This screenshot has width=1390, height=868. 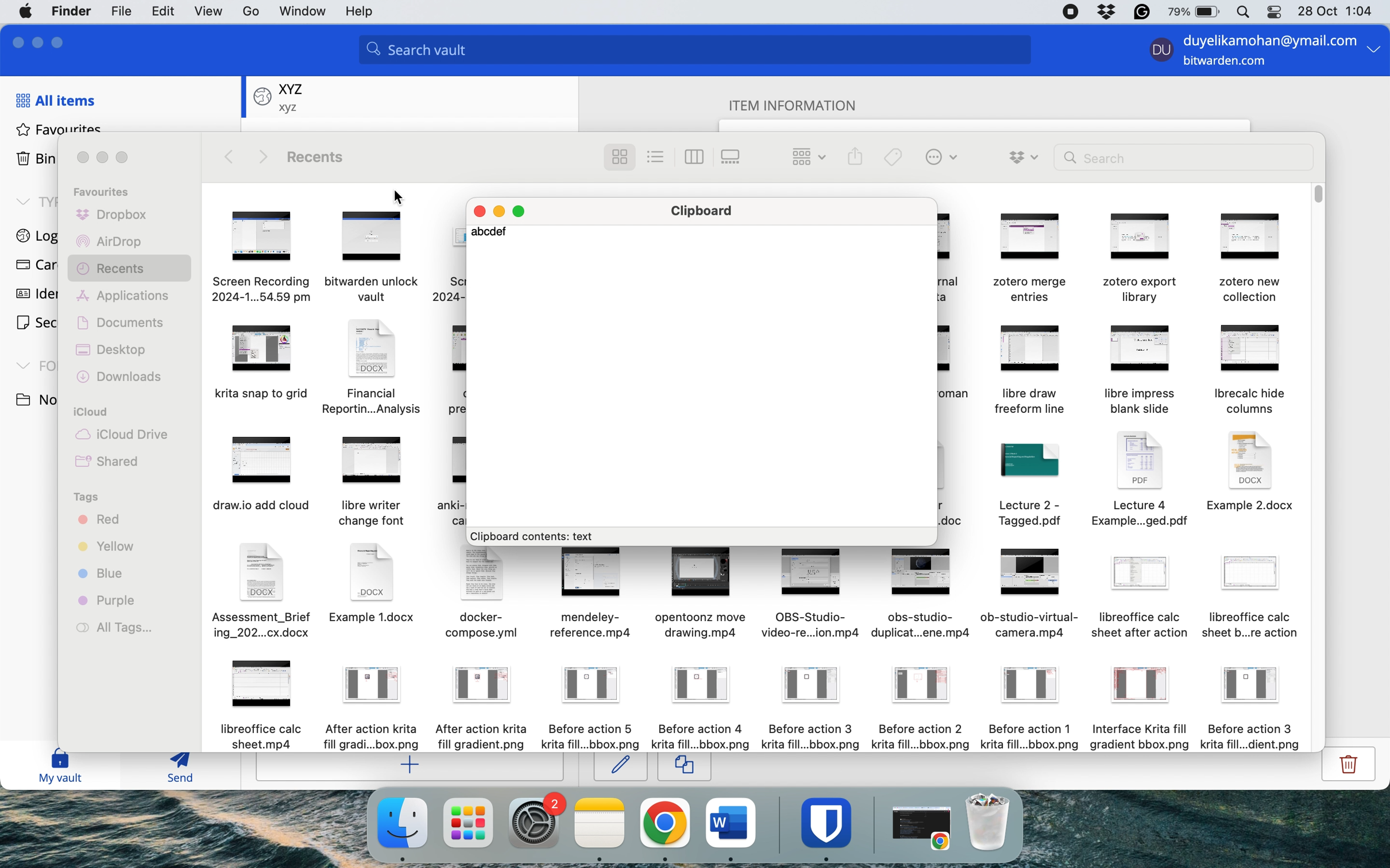 What do you see at coordinates (756, 649) in the screenshot?
I see `system files` at bounding box center [756, 649].